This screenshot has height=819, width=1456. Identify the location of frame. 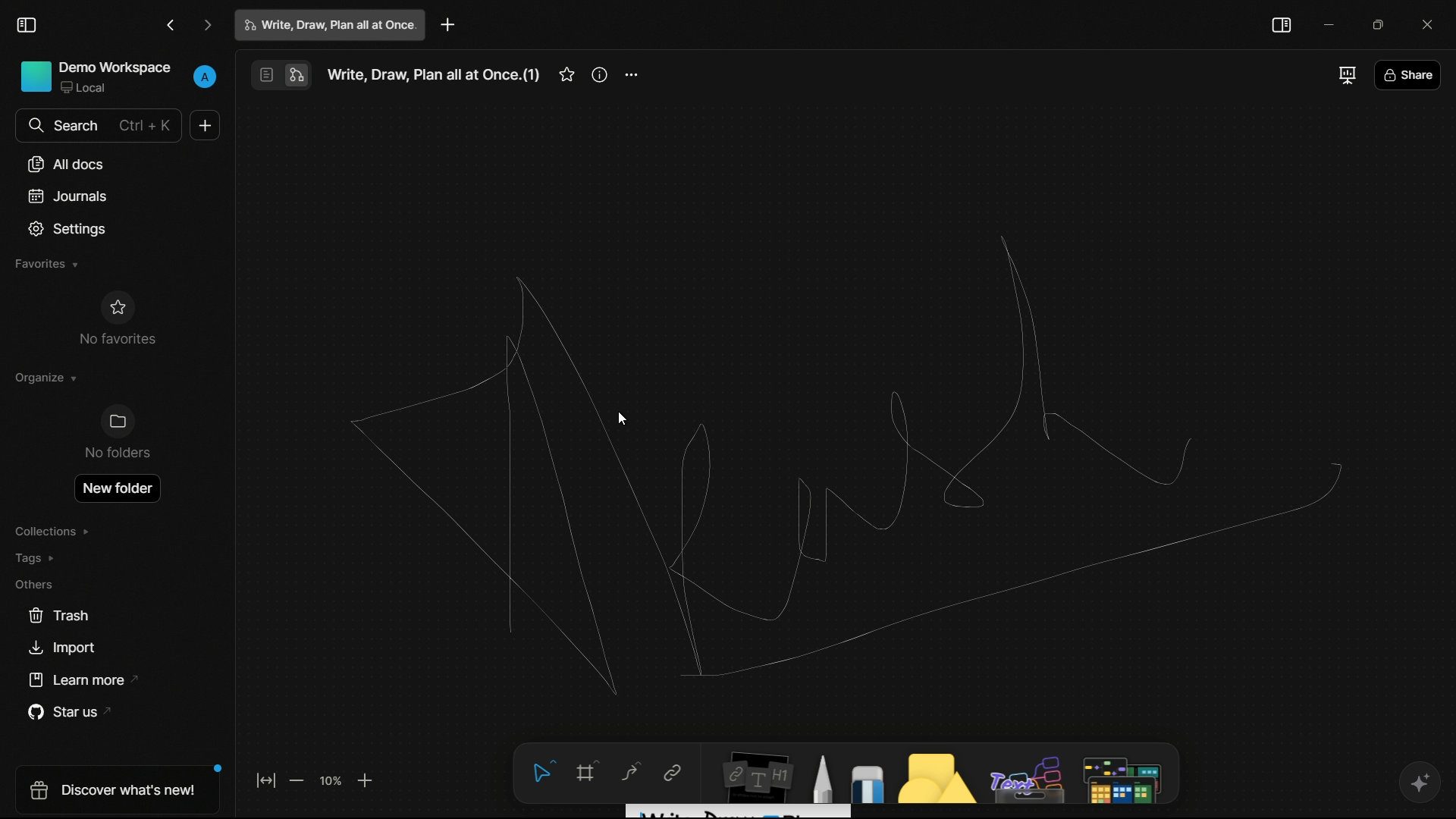
(586, 770).